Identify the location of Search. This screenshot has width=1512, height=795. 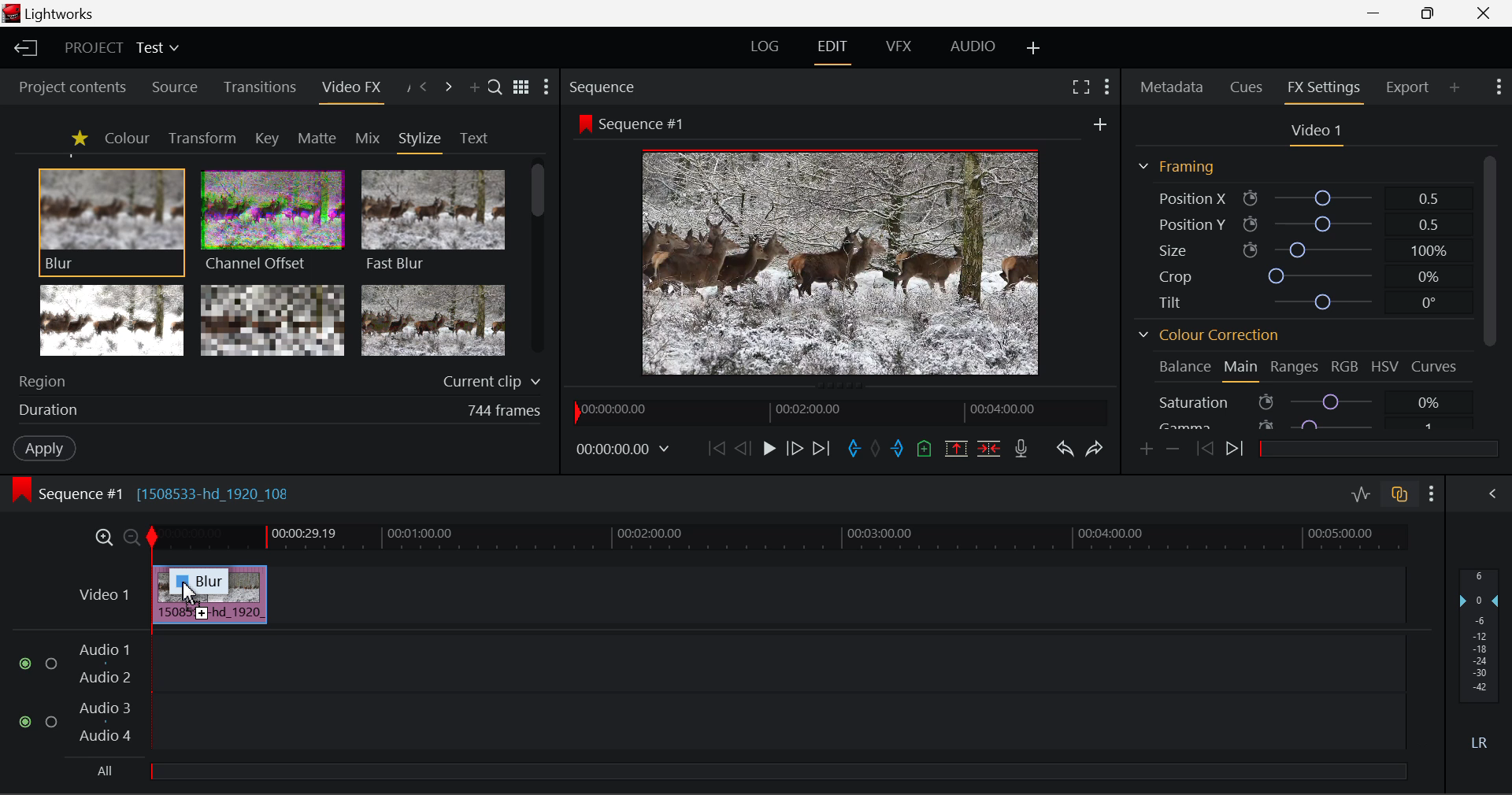
(496, 89).